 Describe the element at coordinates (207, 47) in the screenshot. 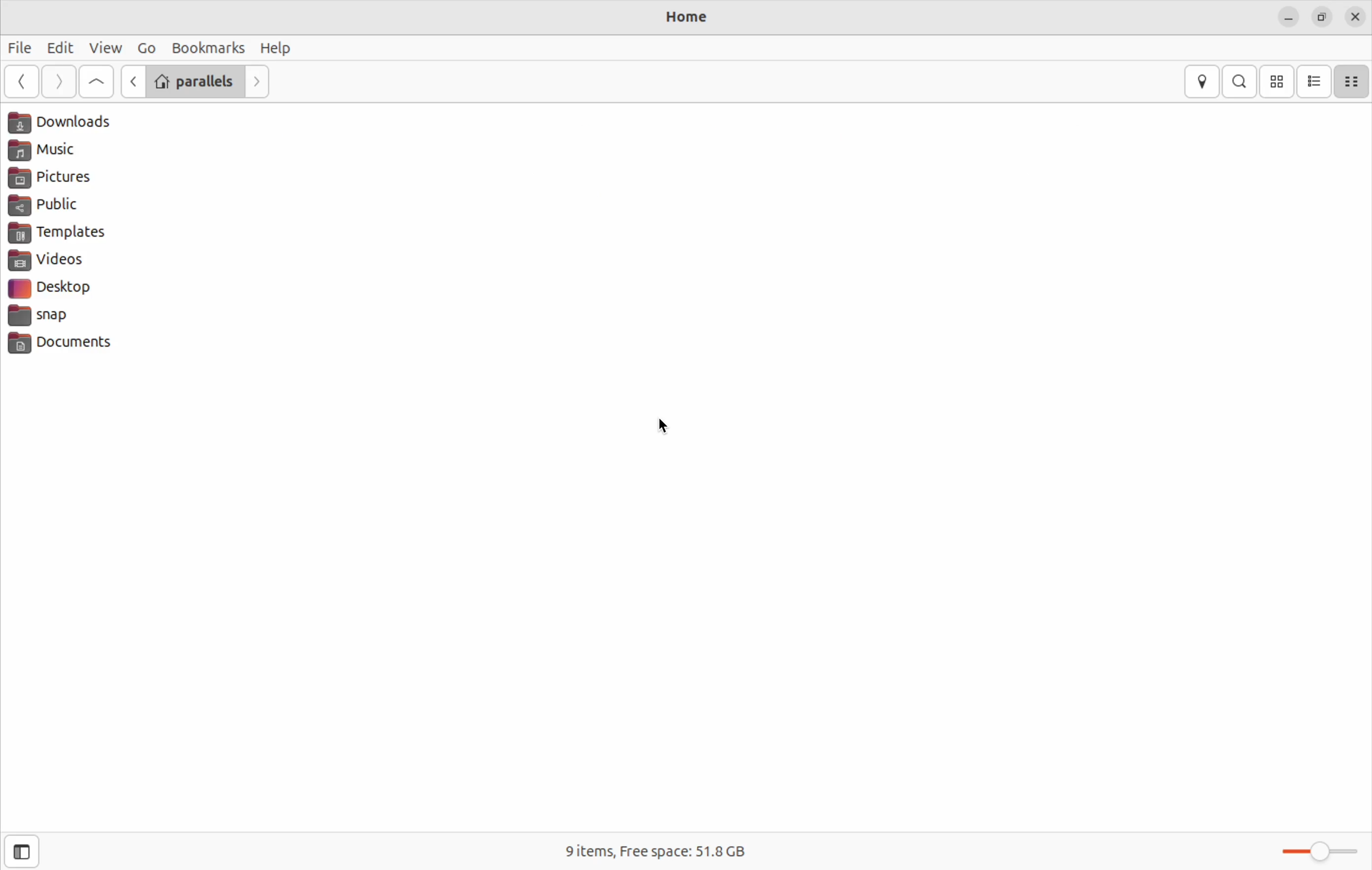

I see `bookmarks` at that location.